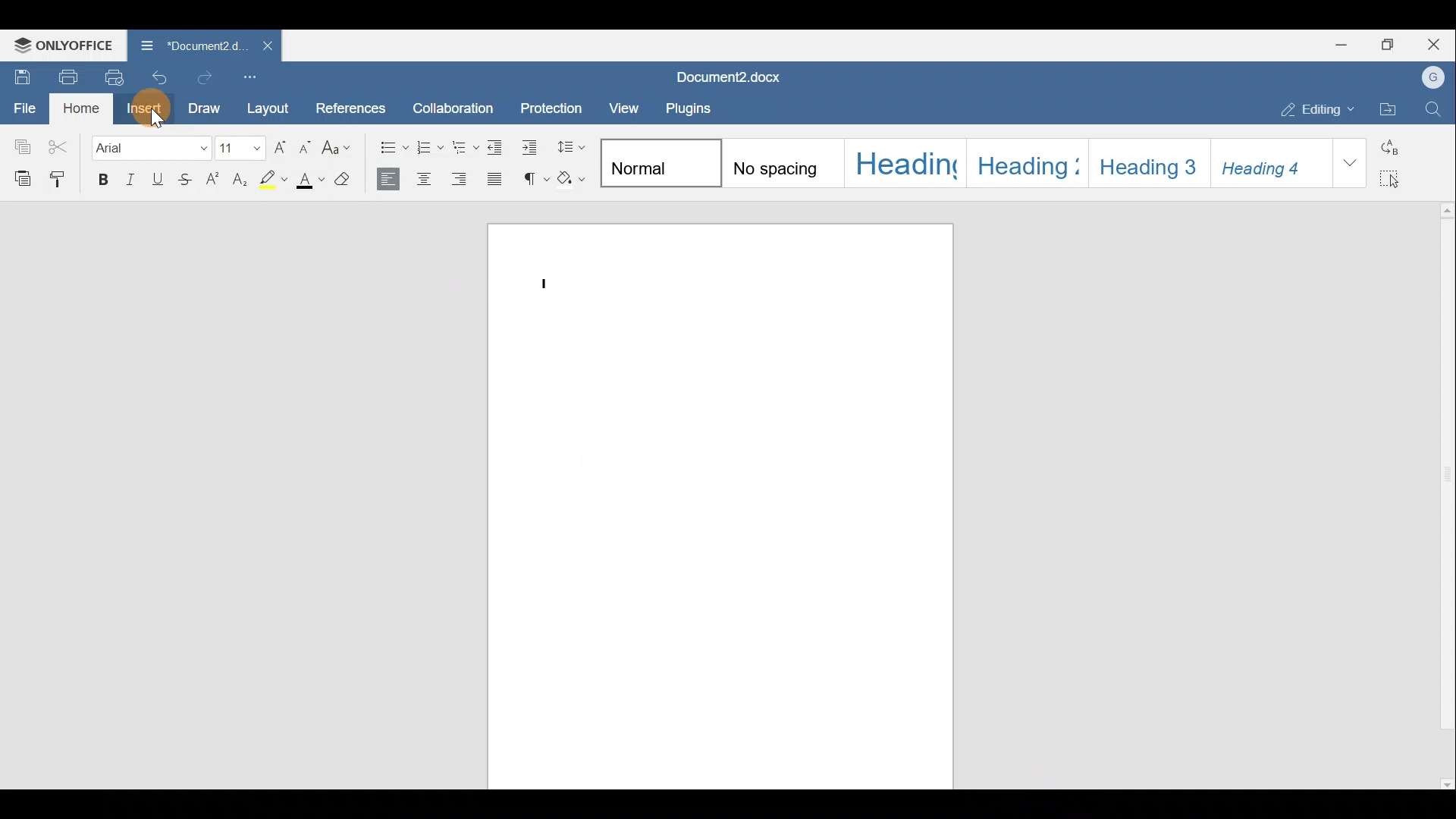 The width and height of the screenshot is (1456, 819). What do you see at coordinates (1434, 78) in the screenshot?
I see `Account name` at bounding box center [1434, 78].